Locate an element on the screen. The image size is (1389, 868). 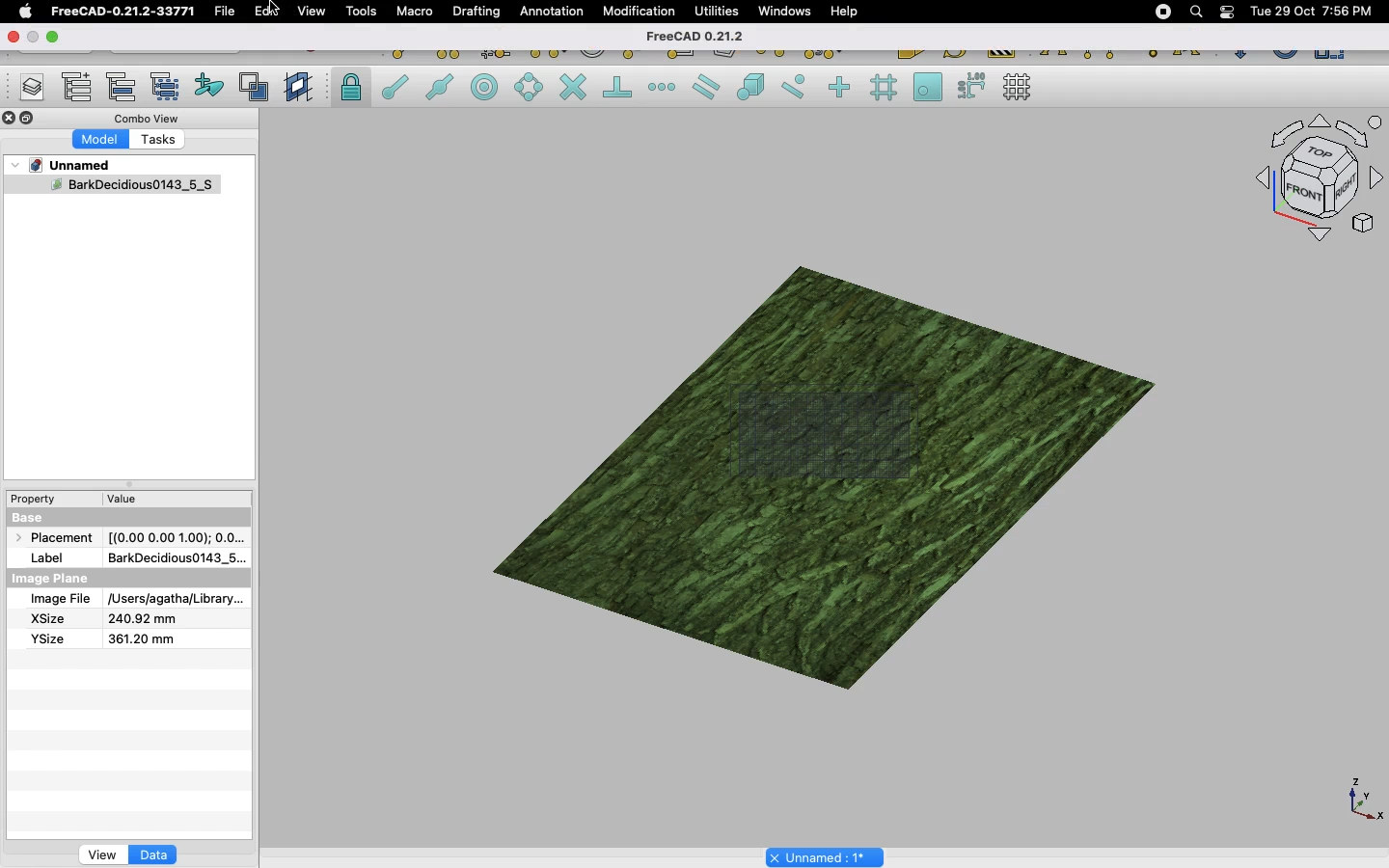
Edit is located at coordinates (267, 11).